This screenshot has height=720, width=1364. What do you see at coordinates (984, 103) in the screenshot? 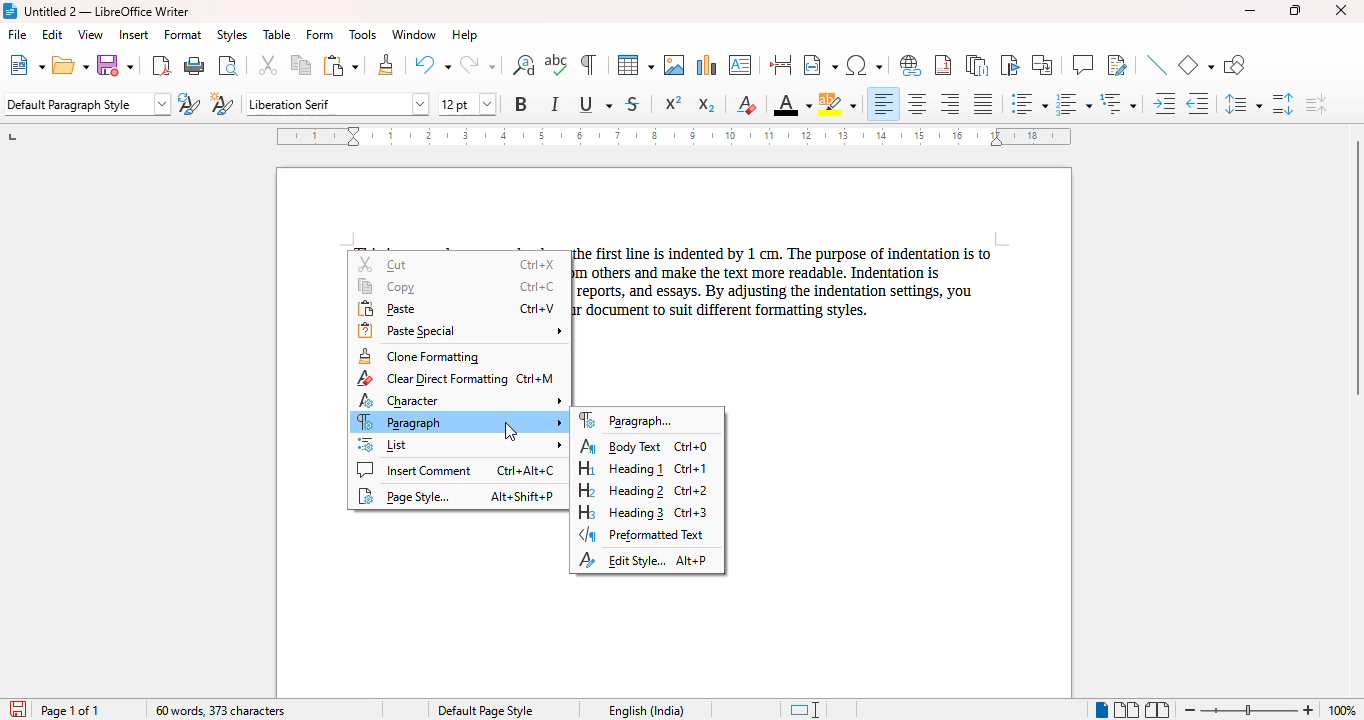
I see `justified` at bounding box center [984, 103].